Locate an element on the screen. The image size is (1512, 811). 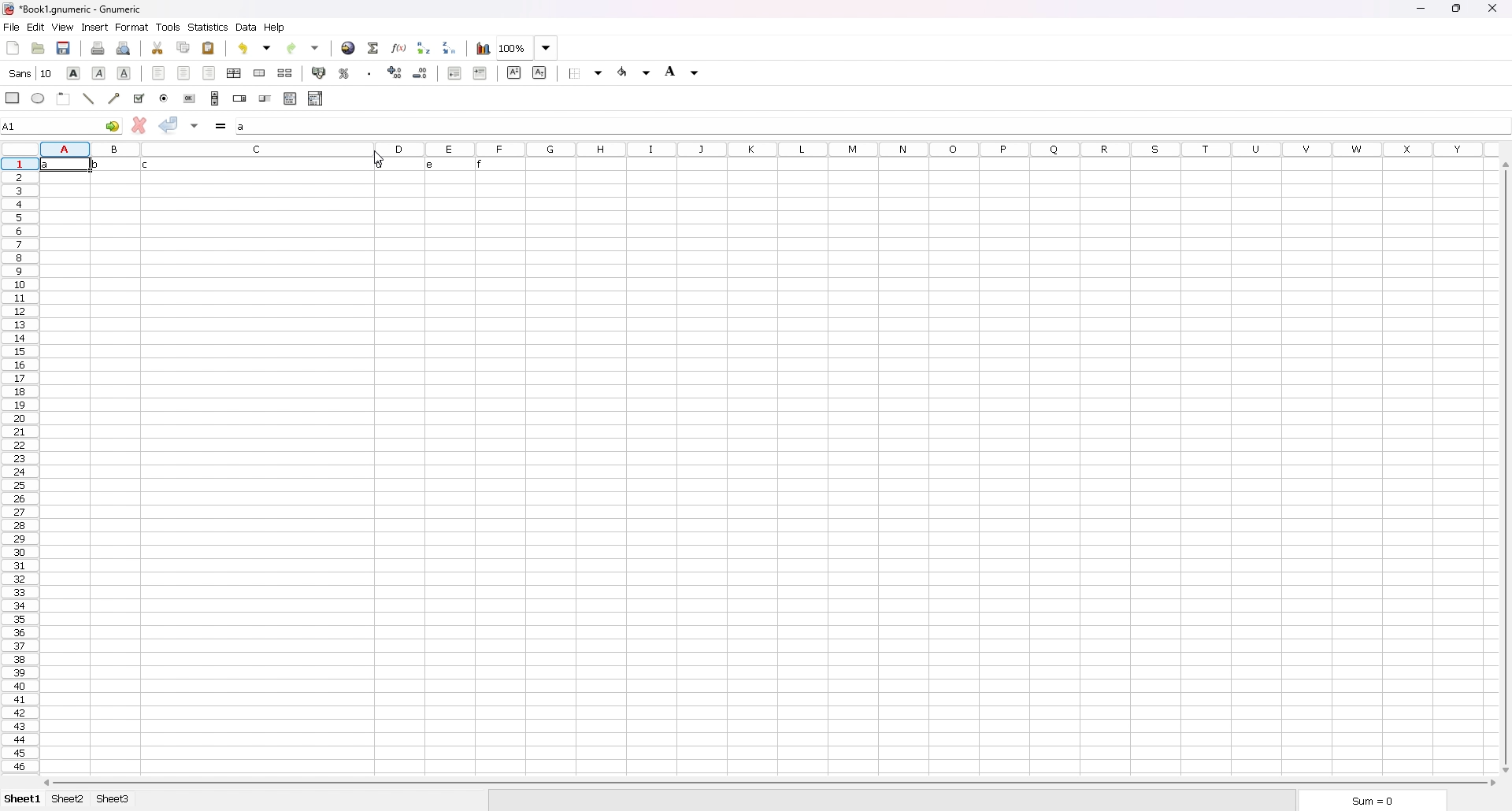
selected cell is located at coordinates (62, 124).